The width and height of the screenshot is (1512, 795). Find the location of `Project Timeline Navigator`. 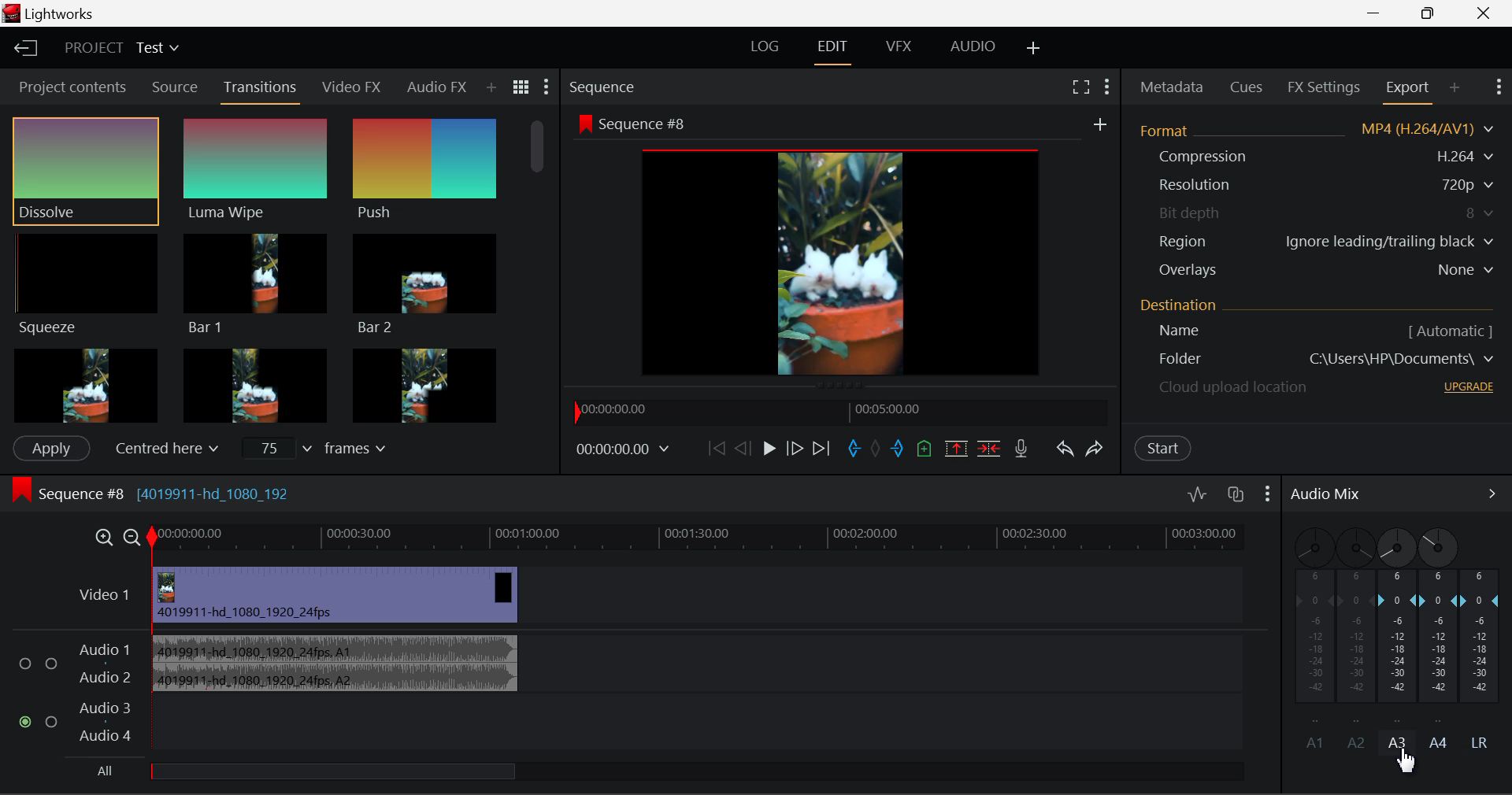

Project Timeline Navigator is located at coordinates (841, 412).